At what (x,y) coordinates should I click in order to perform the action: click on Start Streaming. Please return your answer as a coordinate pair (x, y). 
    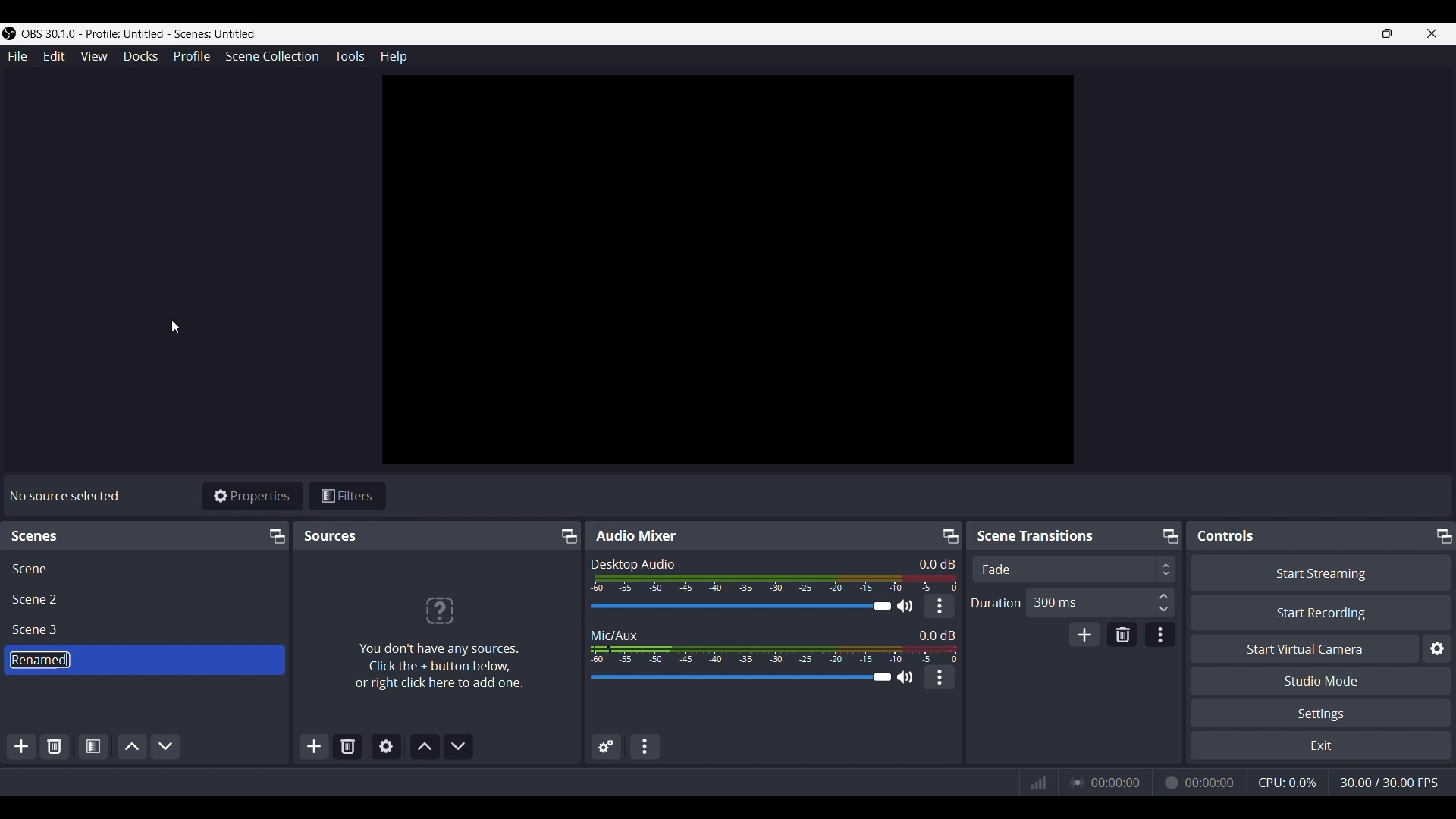
    Looking at the image, I should click on (1320, 573).